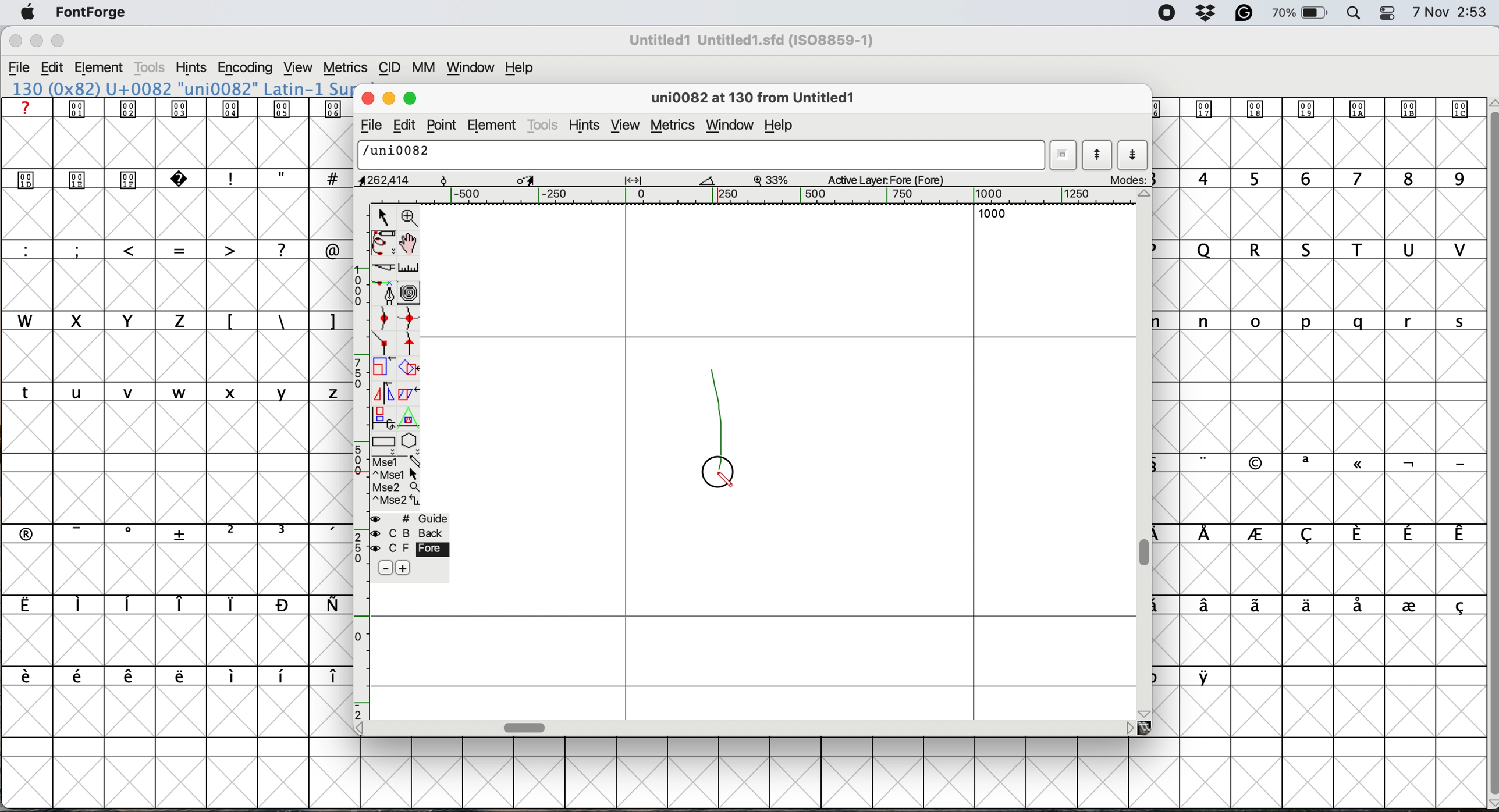 Image resolution: width=1499 pixels, height=812 pixels. What do you see at coordinates (59, 26) in the screenshot?
I see `` at bounding box center [59, 26].